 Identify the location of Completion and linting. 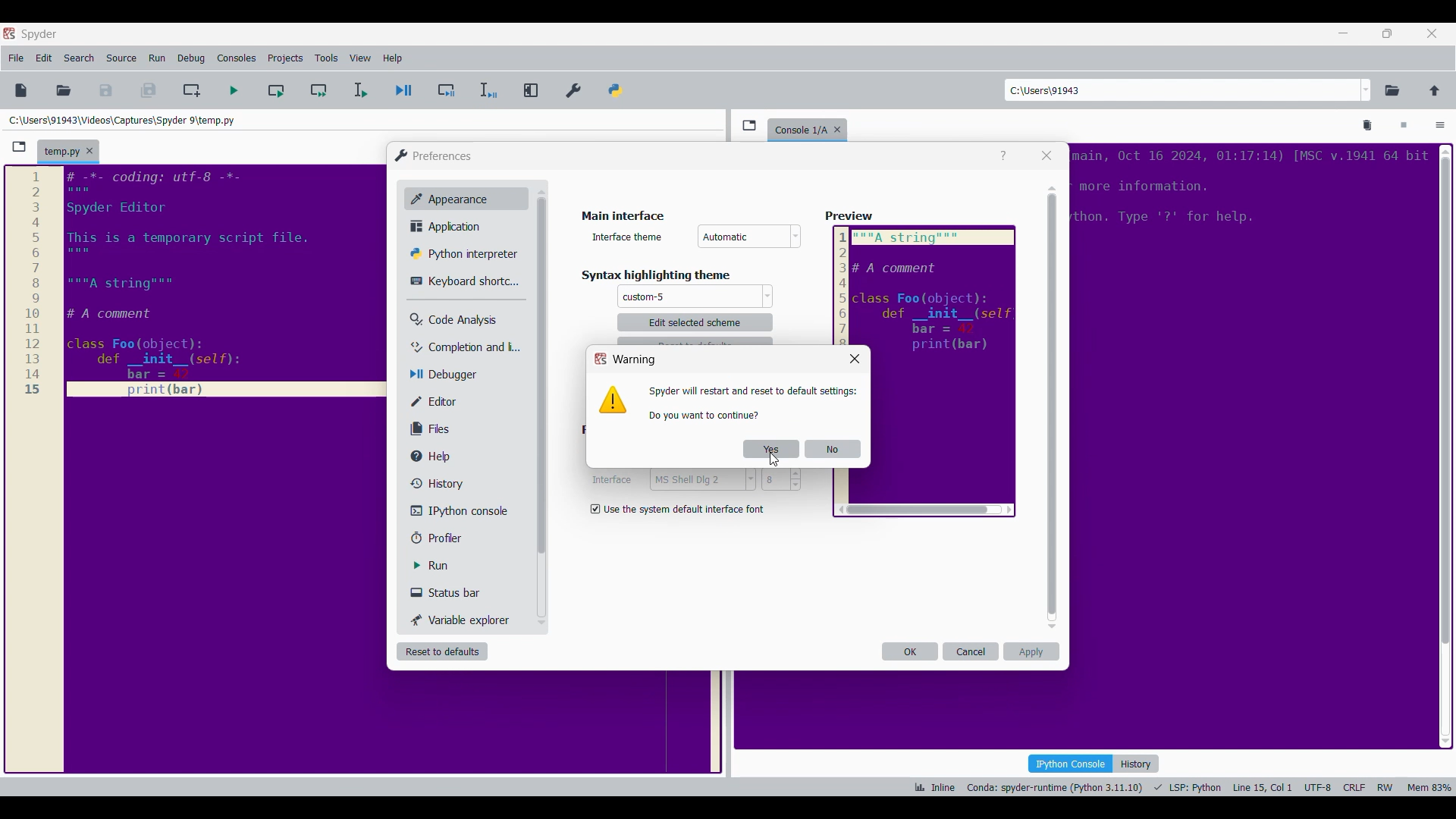
(466, 347).